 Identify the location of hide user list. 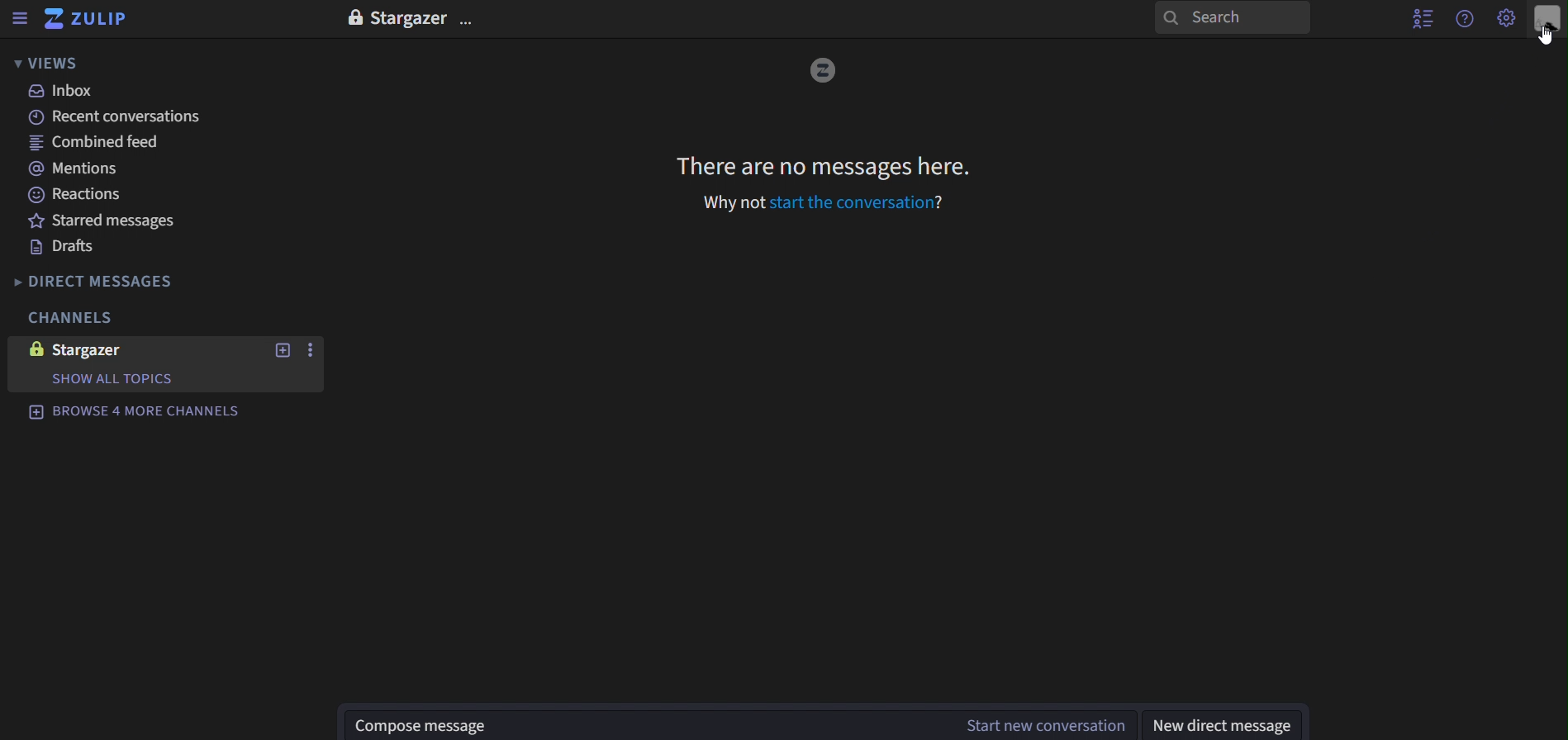
(1421, 18).